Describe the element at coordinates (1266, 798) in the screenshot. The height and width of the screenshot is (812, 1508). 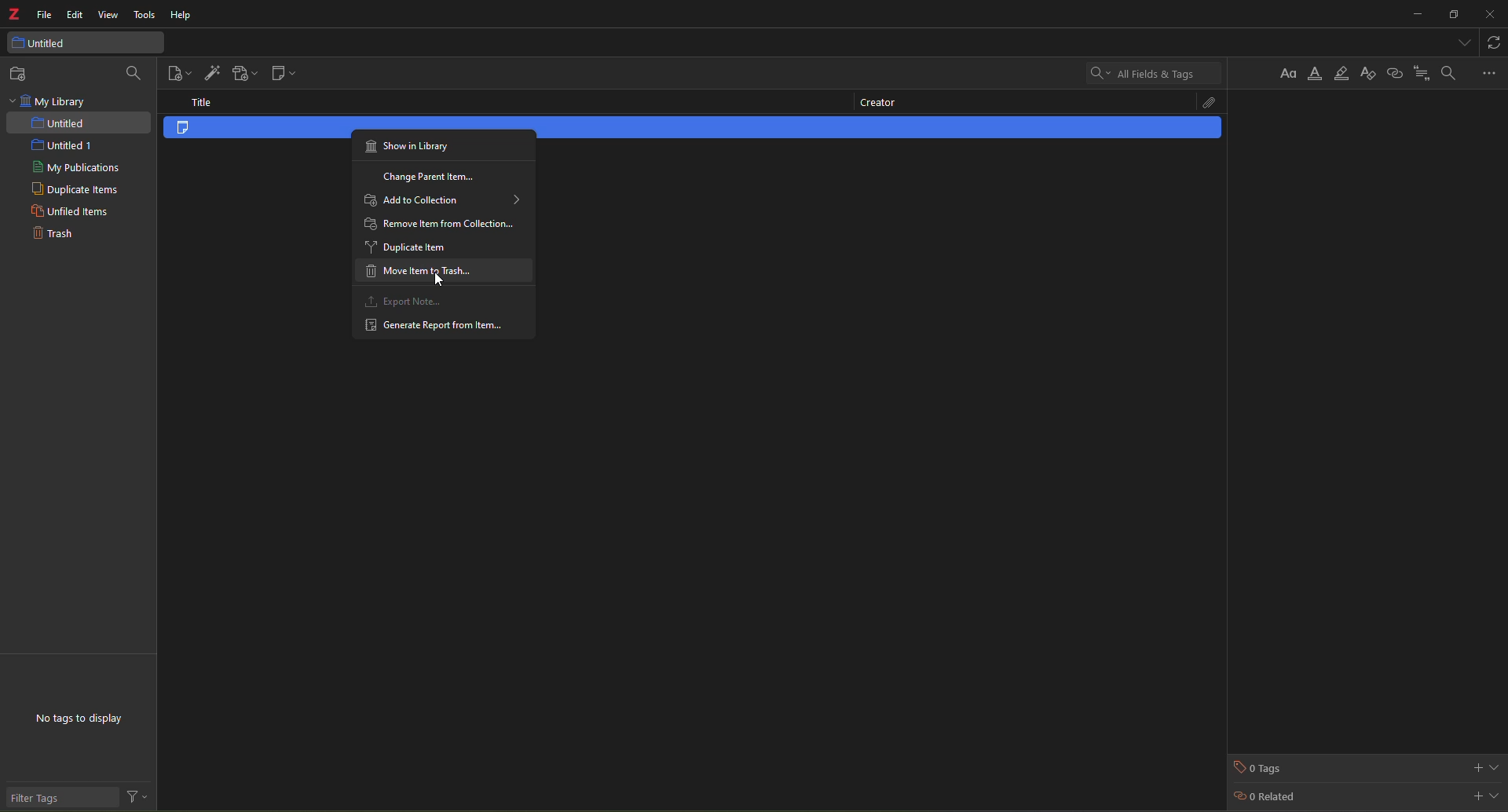
I see `related` at that location.